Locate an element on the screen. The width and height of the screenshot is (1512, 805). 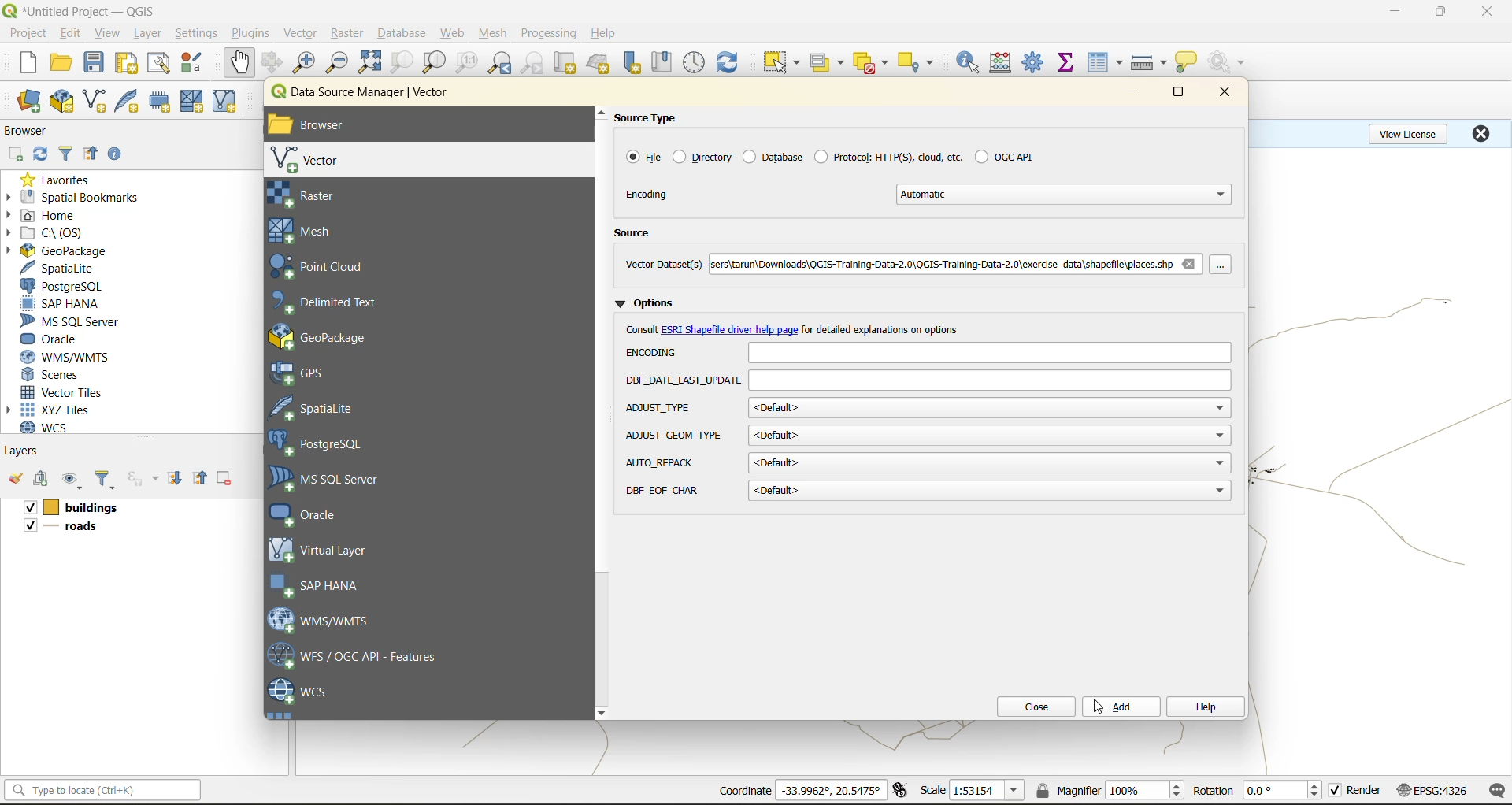
help is located at coordinates (1204, 708).